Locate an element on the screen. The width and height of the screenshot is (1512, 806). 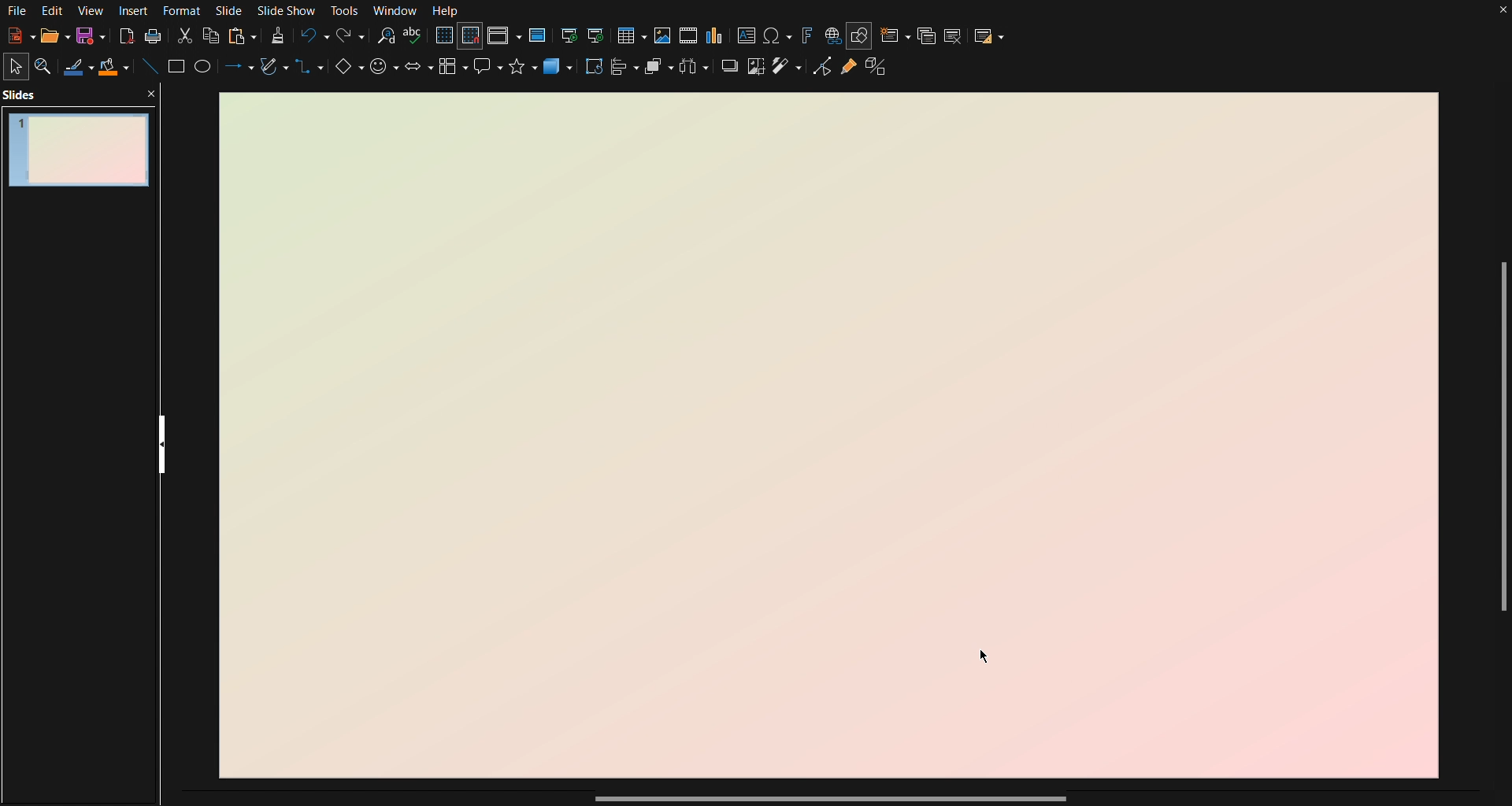
Zoom and Pan is located at coordinates (48, 67).